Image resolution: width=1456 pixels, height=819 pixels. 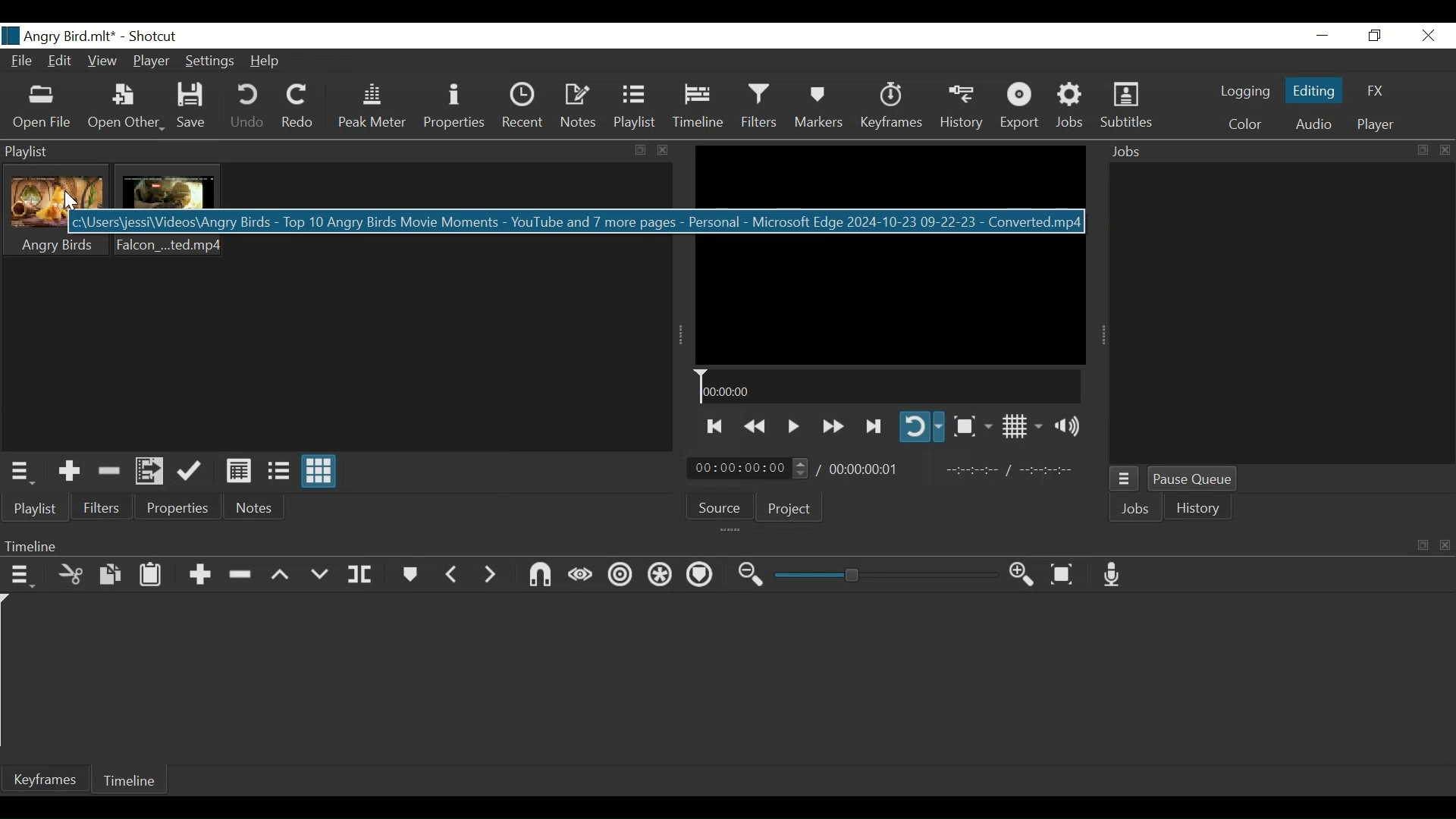 What do you see at coordinates (750, 469) in the screenshot?
I see `Current position` at bounding box center [750, 469].